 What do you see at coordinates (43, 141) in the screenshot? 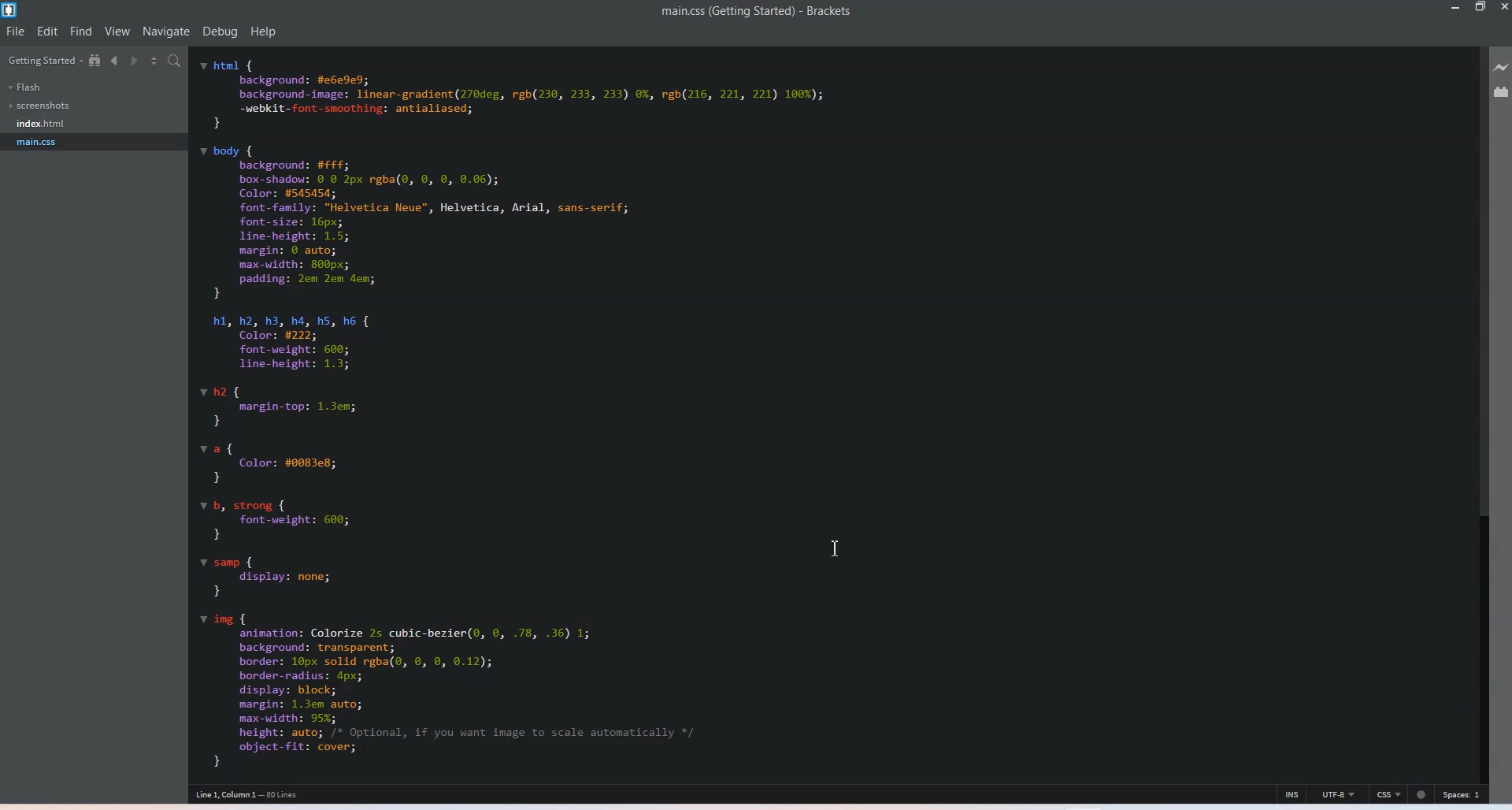
I see `main.css` at bounding box center [43, 141].